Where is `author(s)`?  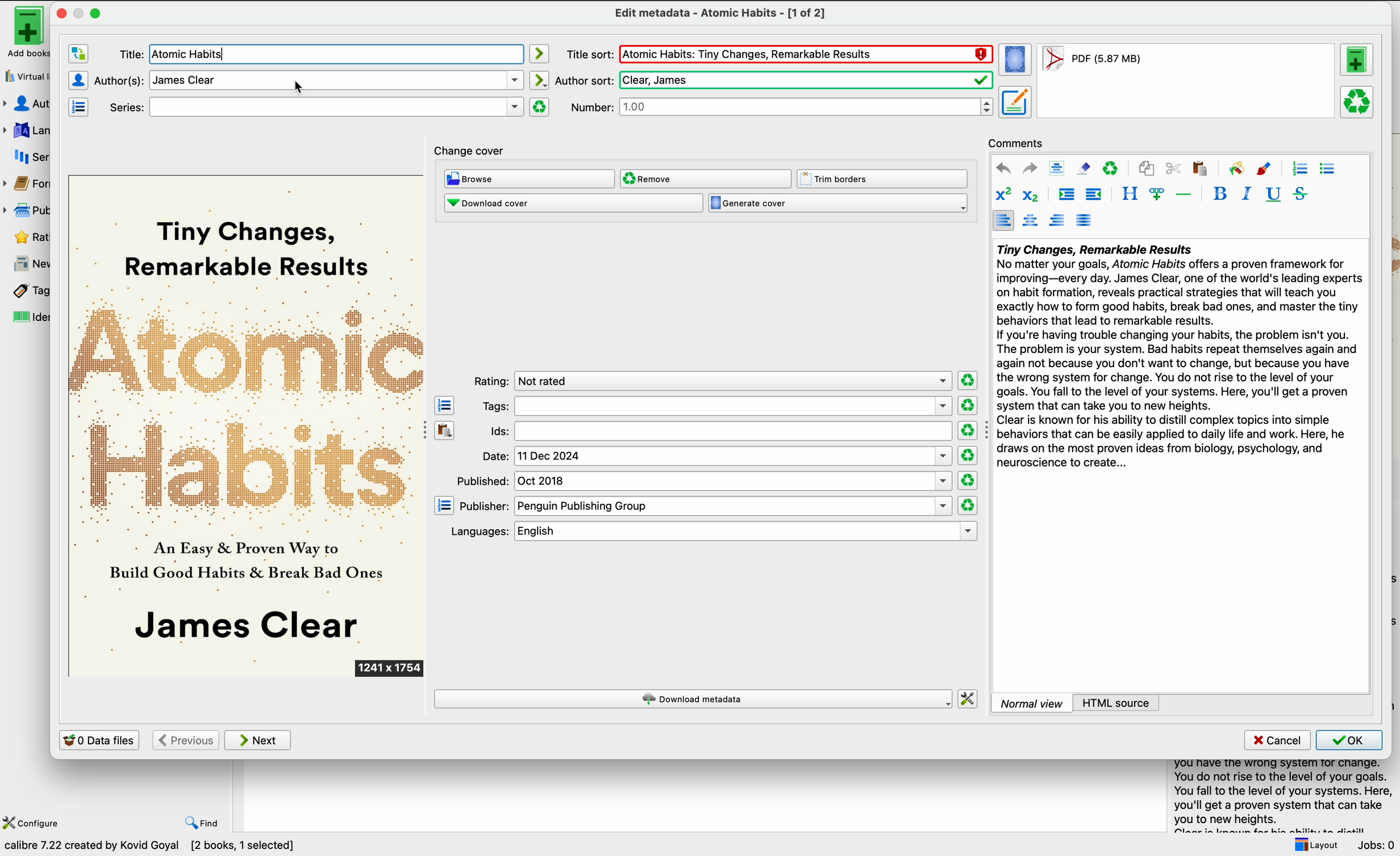 author(s) is located at coordinates (310, 81).